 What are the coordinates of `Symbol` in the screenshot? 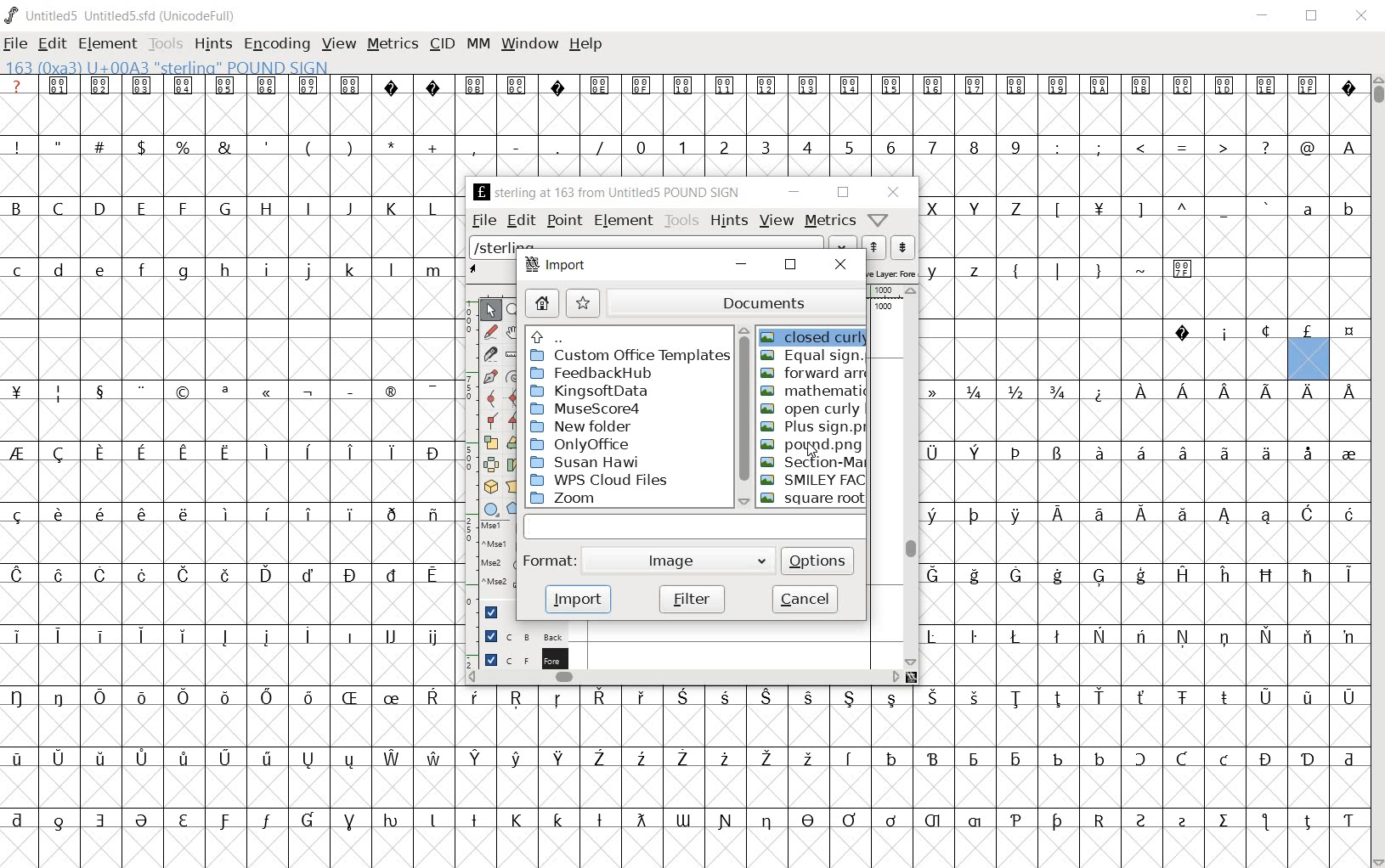 It's located at (432, 390).